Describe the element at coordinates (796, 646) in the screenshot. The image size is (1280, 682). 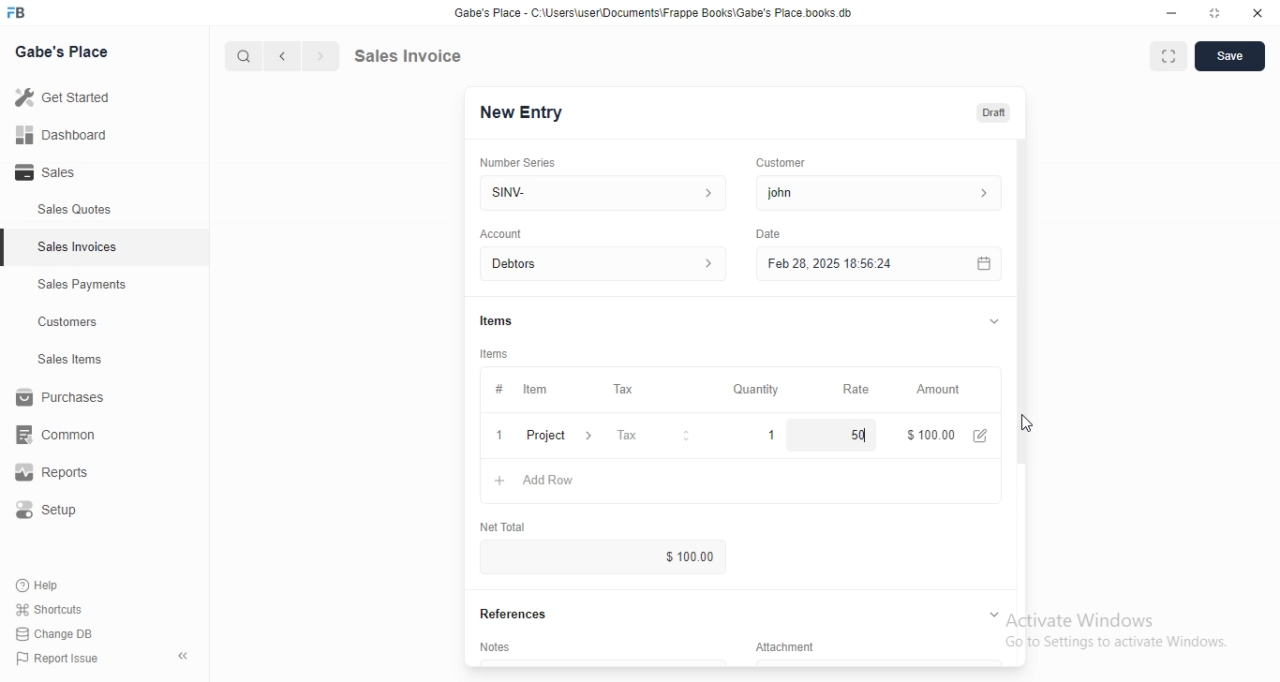
I see `` at that location.